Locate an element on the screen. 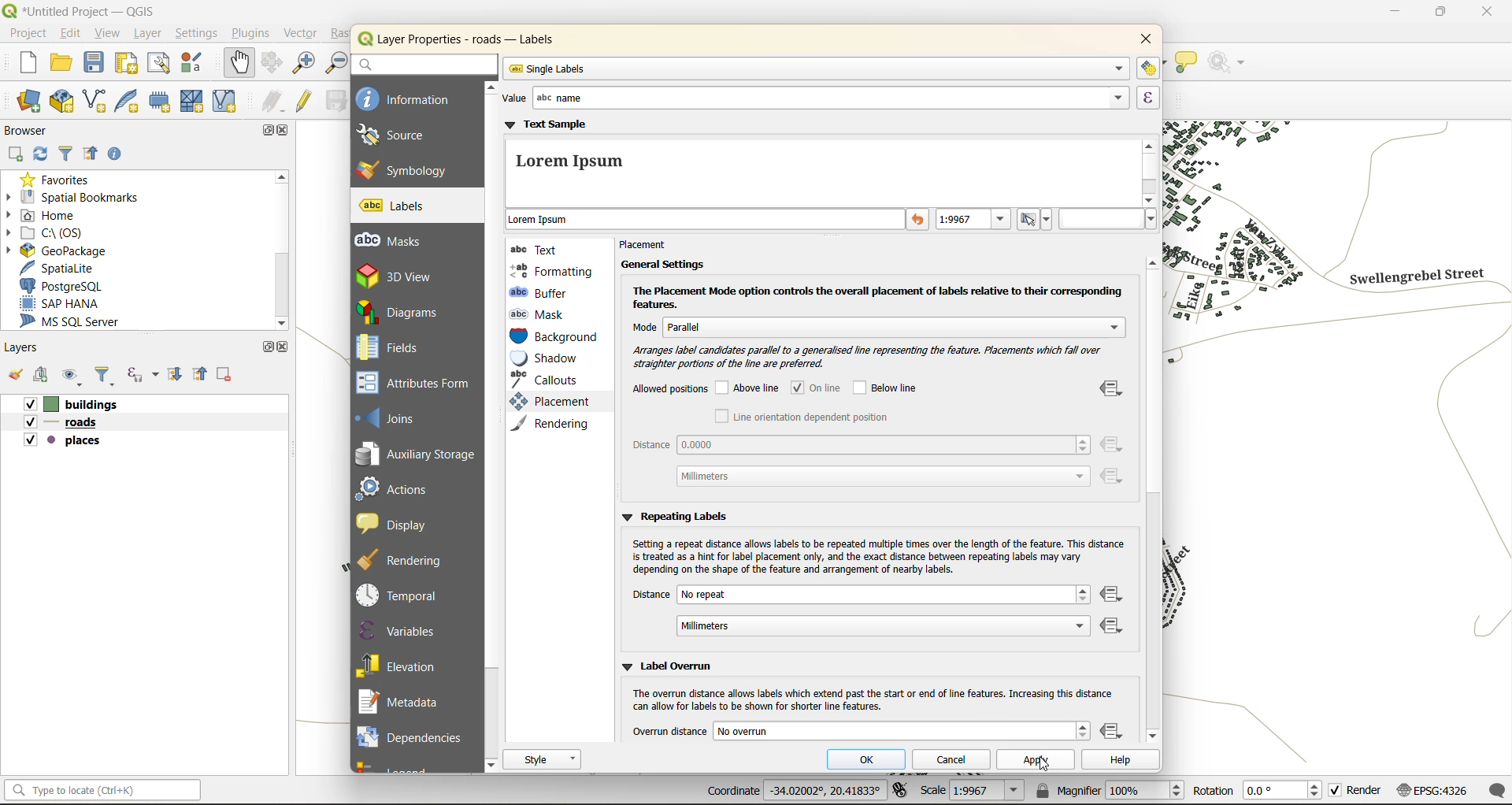 The image size is (1512, 805). buildings layer is located at coordinates (76, 405).